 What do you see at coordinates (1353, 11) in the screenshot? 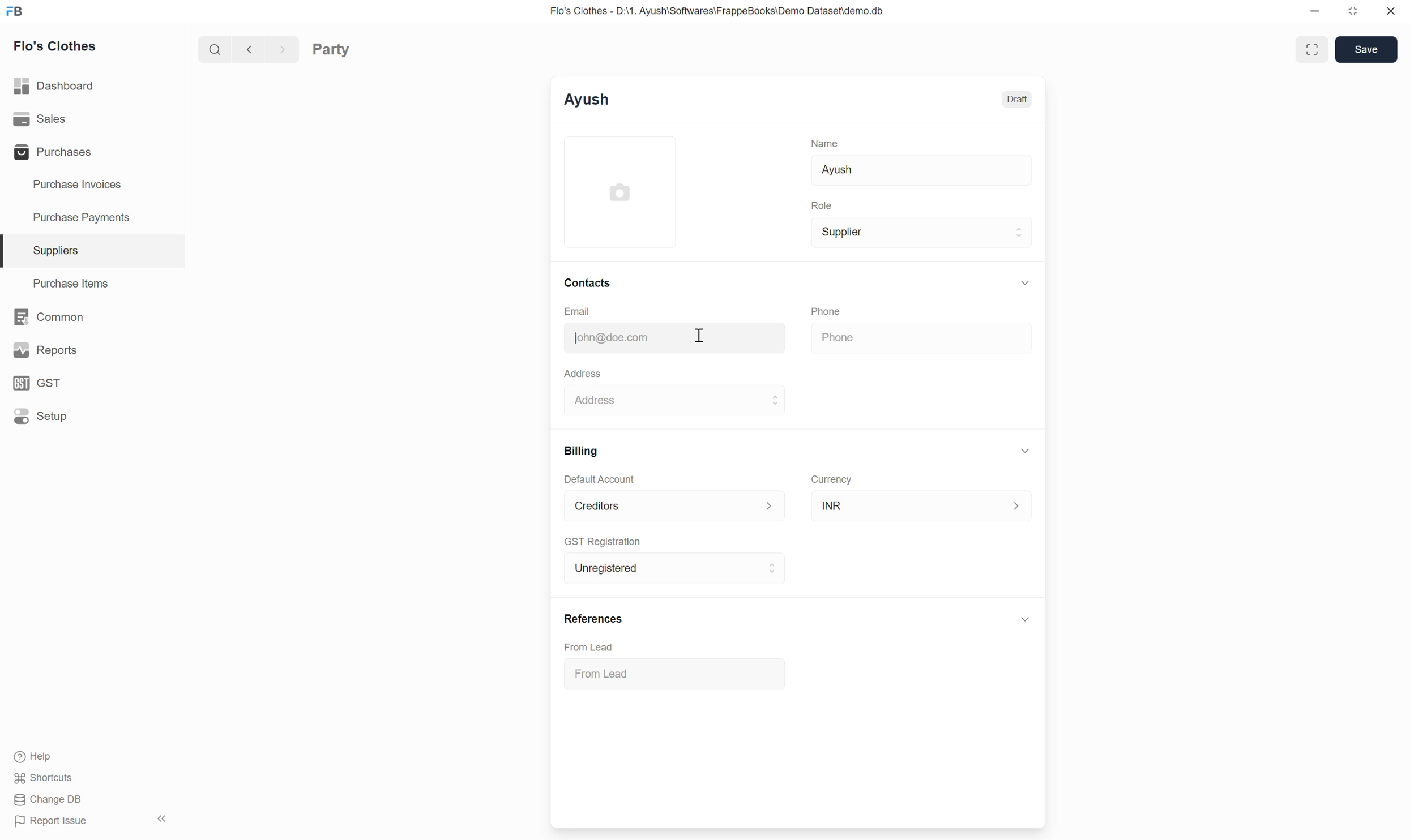
I see `Change dimension` at bounding box center [1353, 11].